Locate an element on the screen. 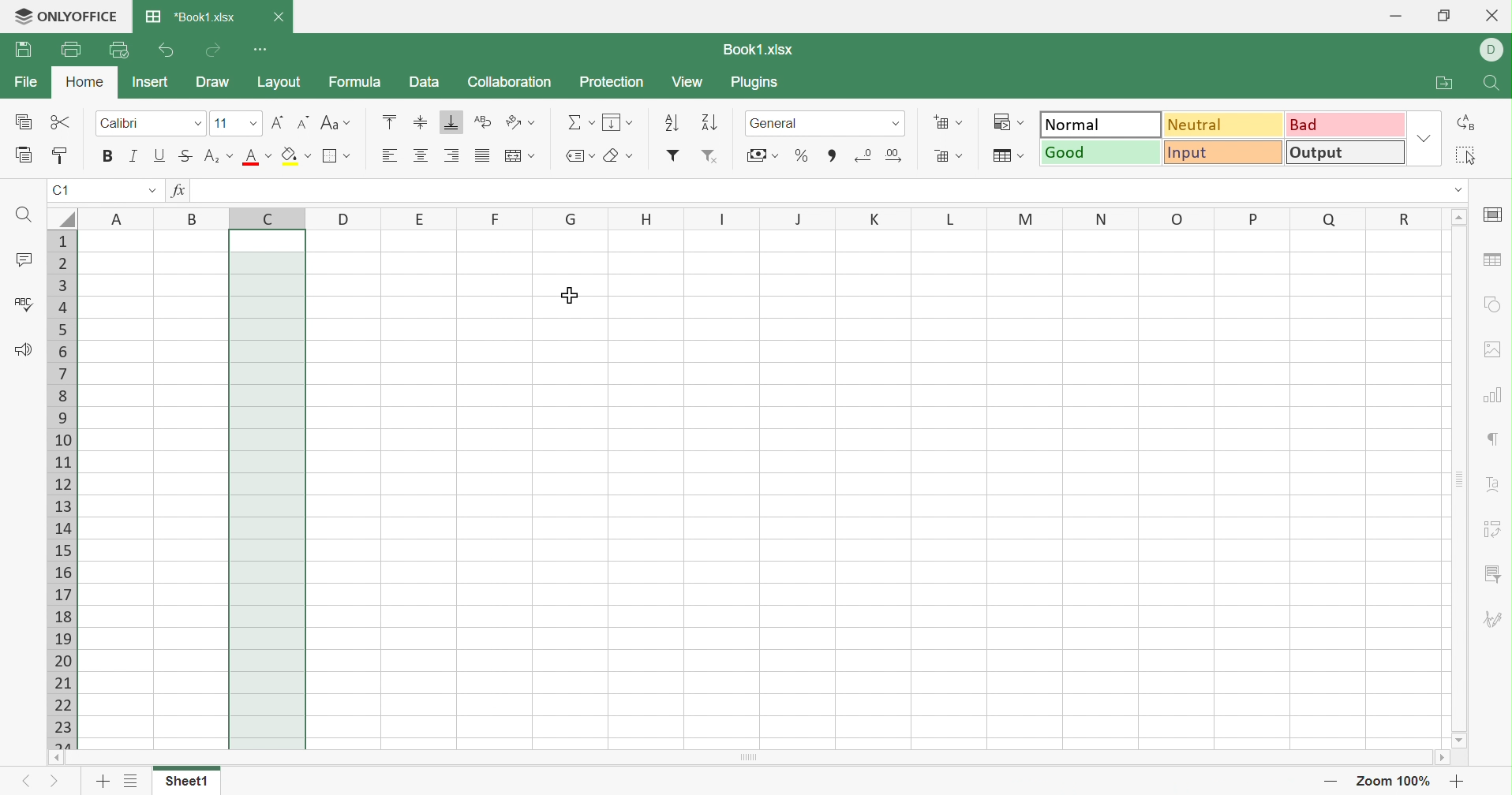 This screenshot has height=795, width=1512. Clear is located at coordinates (613, 156).